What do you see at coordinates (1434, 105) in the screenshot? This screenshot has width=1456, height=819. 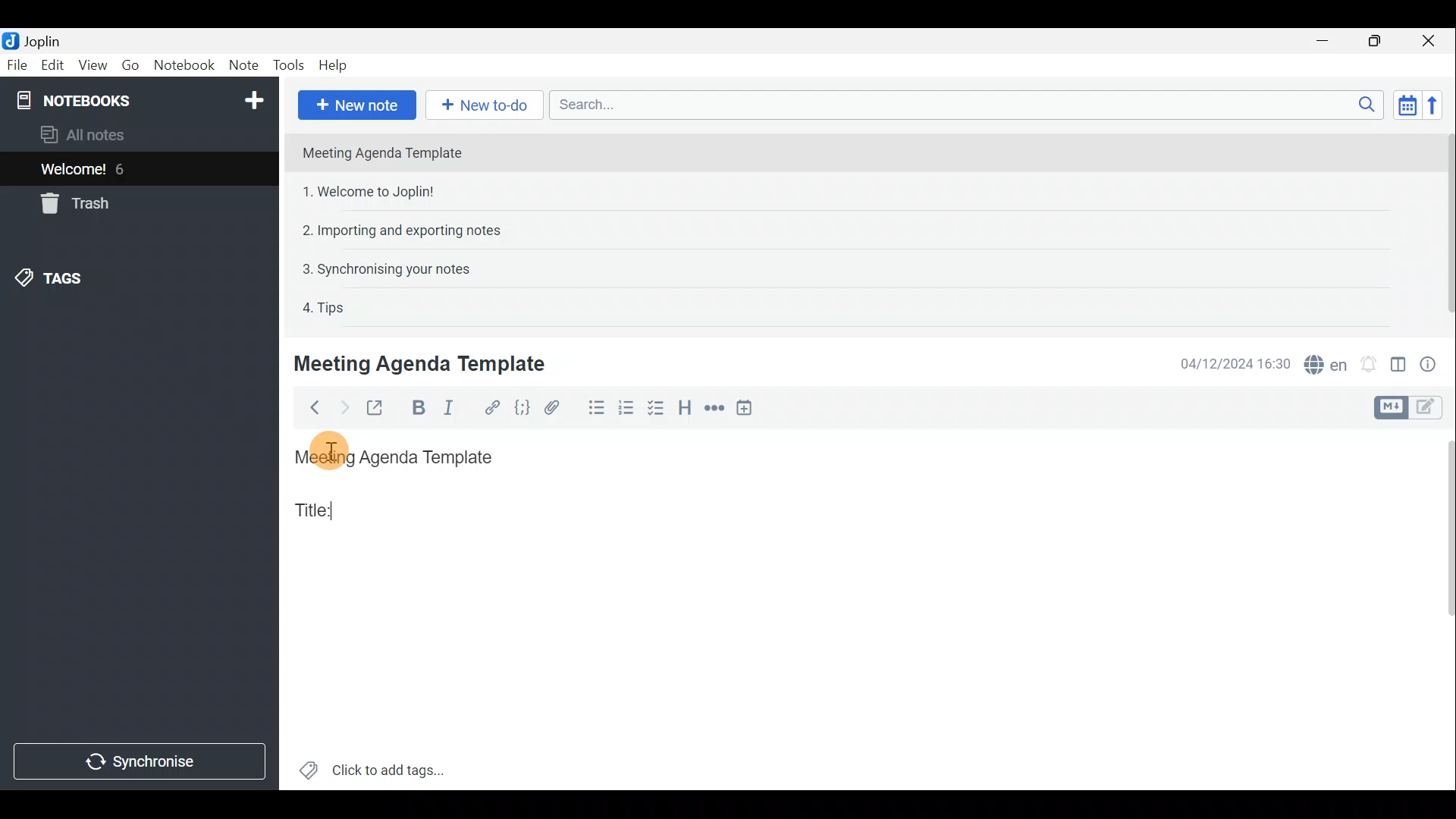 I see `Reverse sort order` at bounding box center [1434, 105].